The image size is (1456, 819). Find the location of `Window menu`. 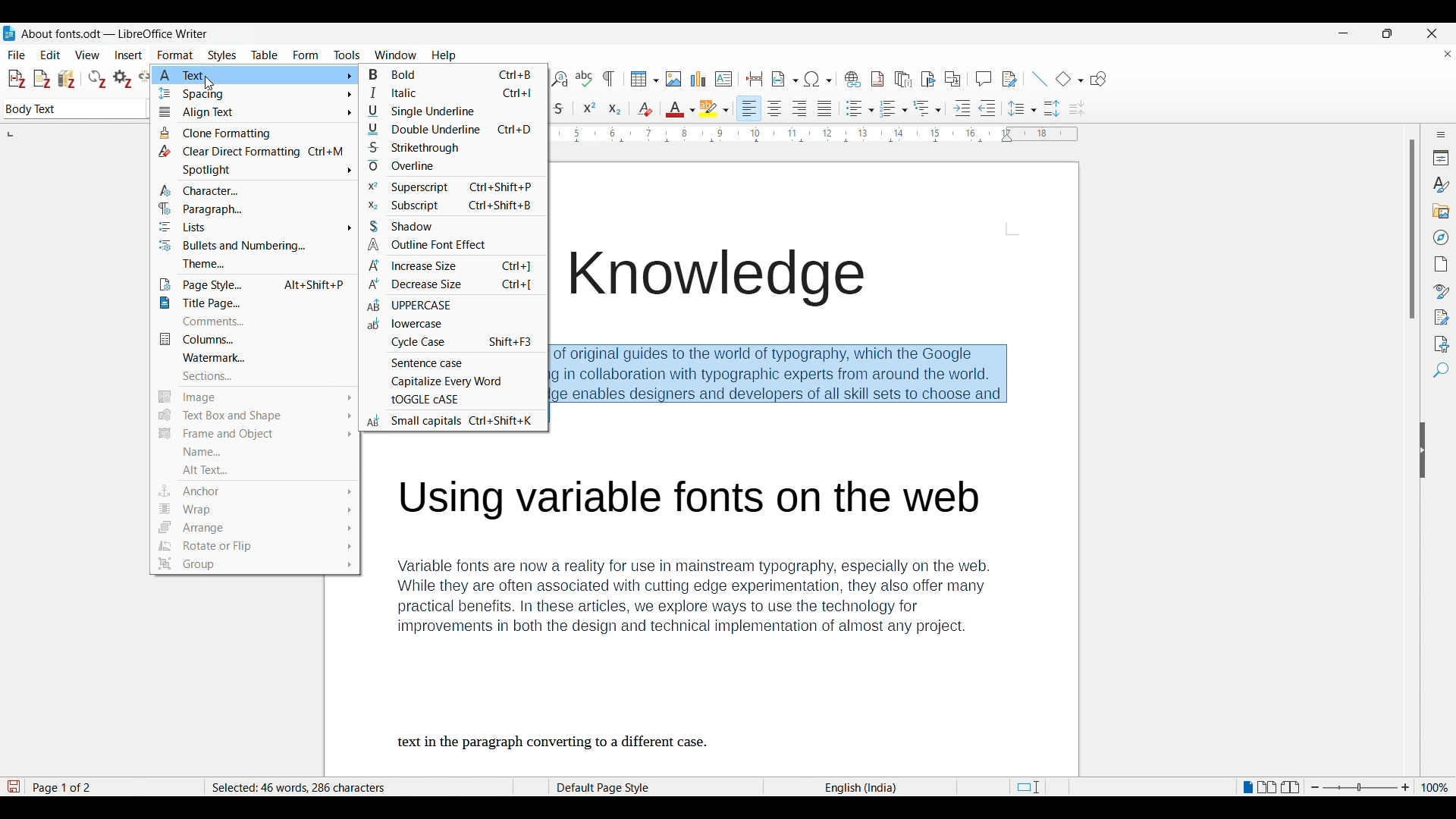

Window menu is located at coordinates (396, 55).